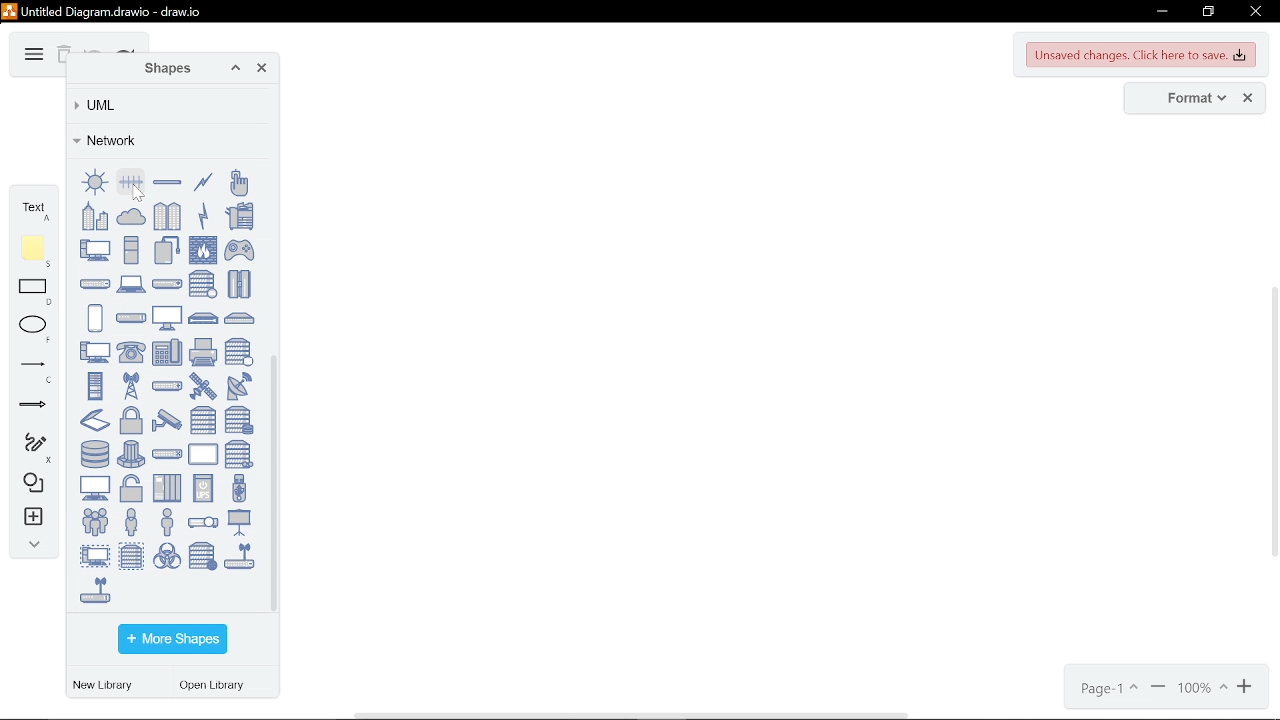  I want to click on close, so click(262, 70).